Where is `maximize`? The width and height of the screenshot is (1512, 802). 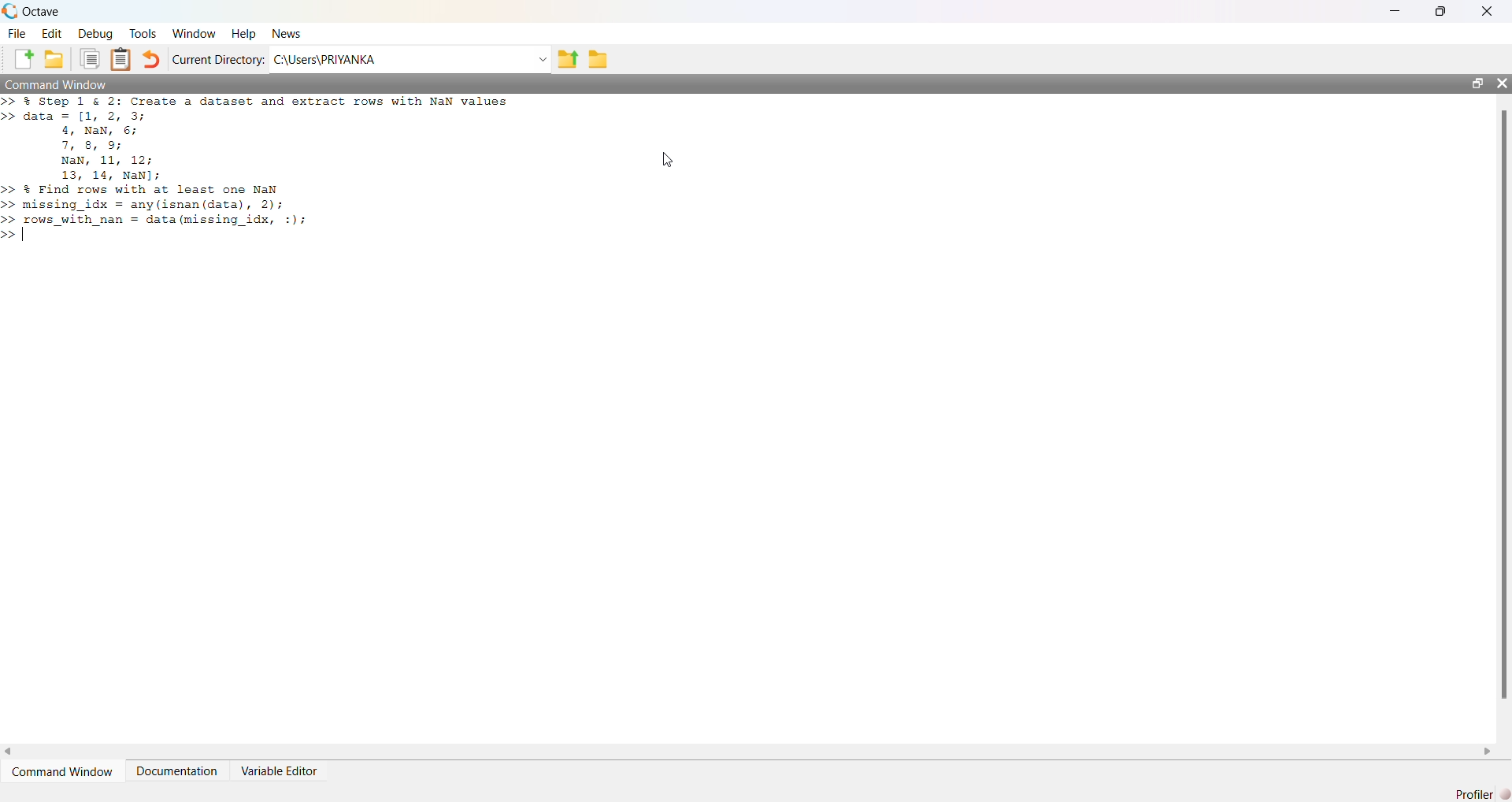
maximize is located at coordinates (1477, 83).